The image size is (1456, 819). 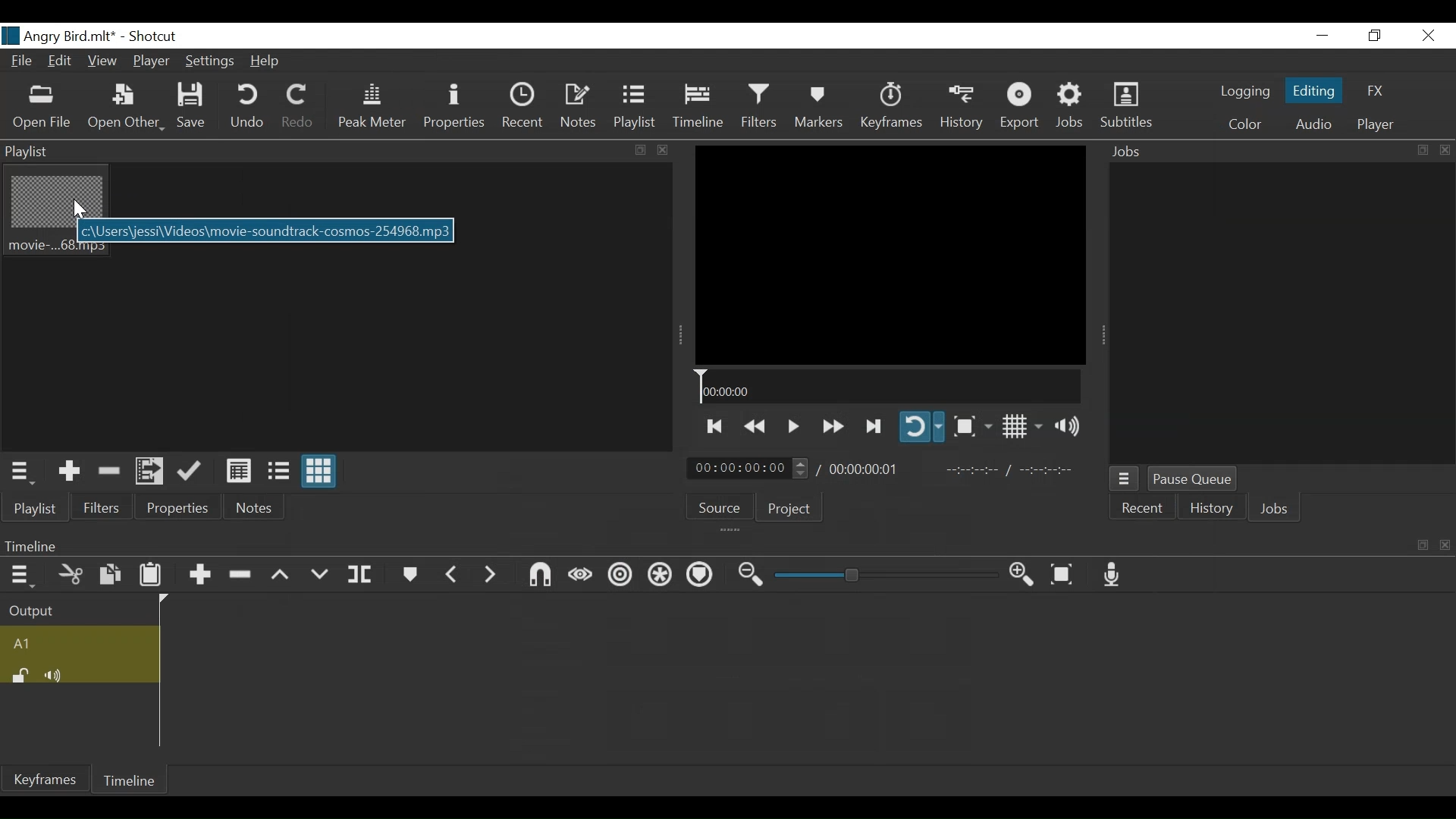 I want to click on Properties, so click(x=457, y=105).